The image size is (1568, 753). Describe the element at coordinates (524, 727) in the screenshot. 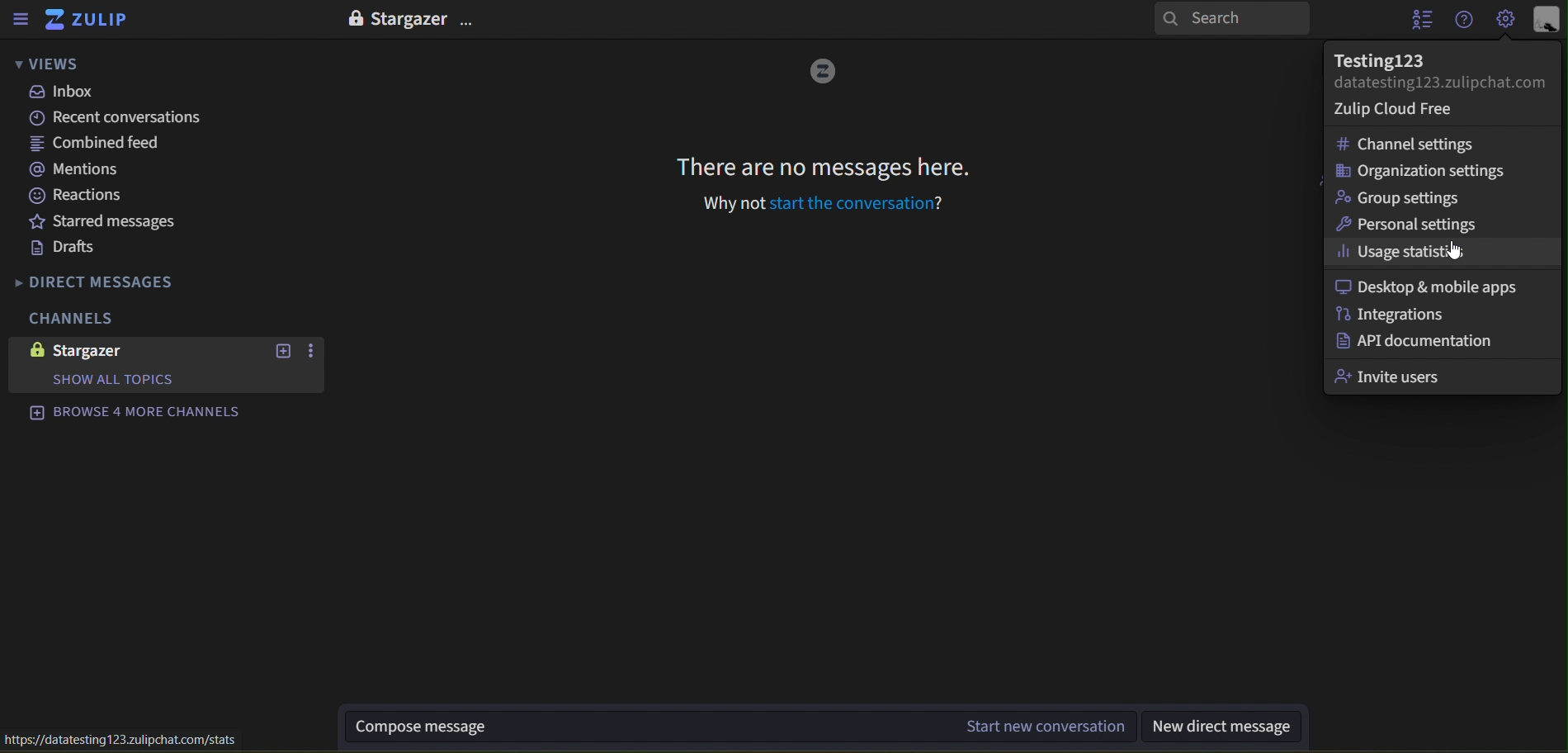

I see `Compose message` at that location.